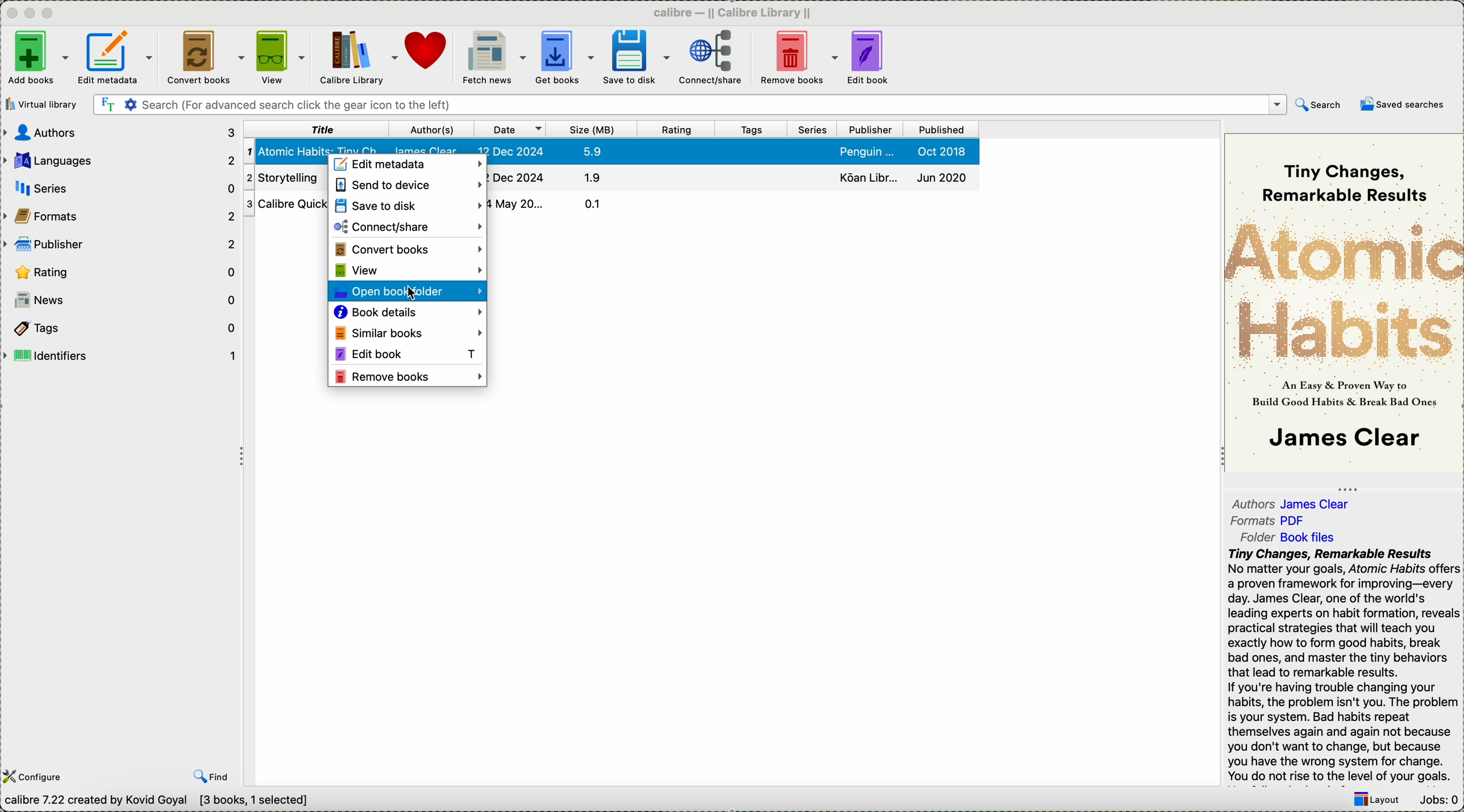  I want to click on authors, so click(1294, 501).